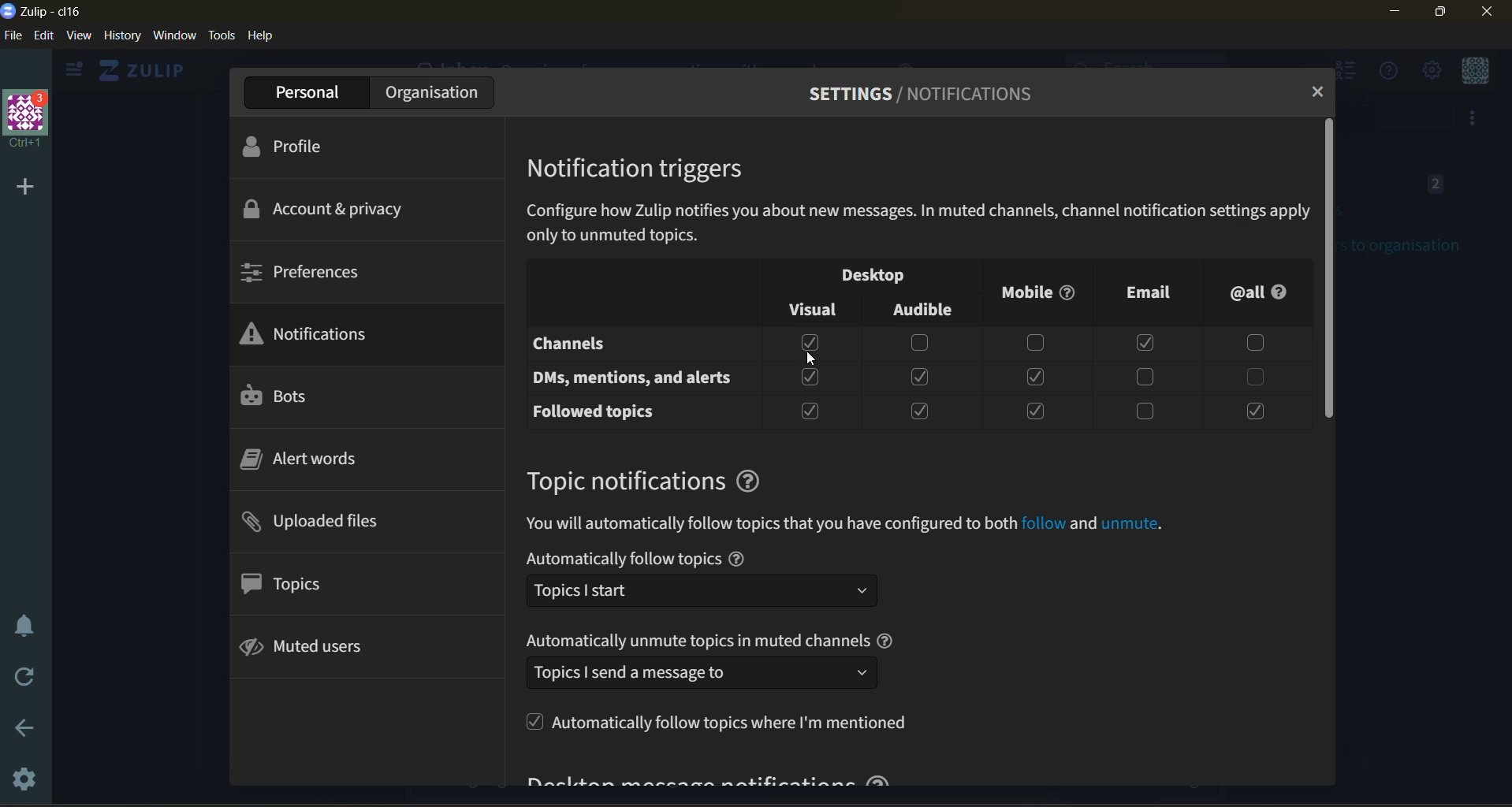 The height and width of the screenshot is (807, 1512). What do you see at coordinates (174, 35) in the screenshot?
I see `window` at bounding box center [174, 35].